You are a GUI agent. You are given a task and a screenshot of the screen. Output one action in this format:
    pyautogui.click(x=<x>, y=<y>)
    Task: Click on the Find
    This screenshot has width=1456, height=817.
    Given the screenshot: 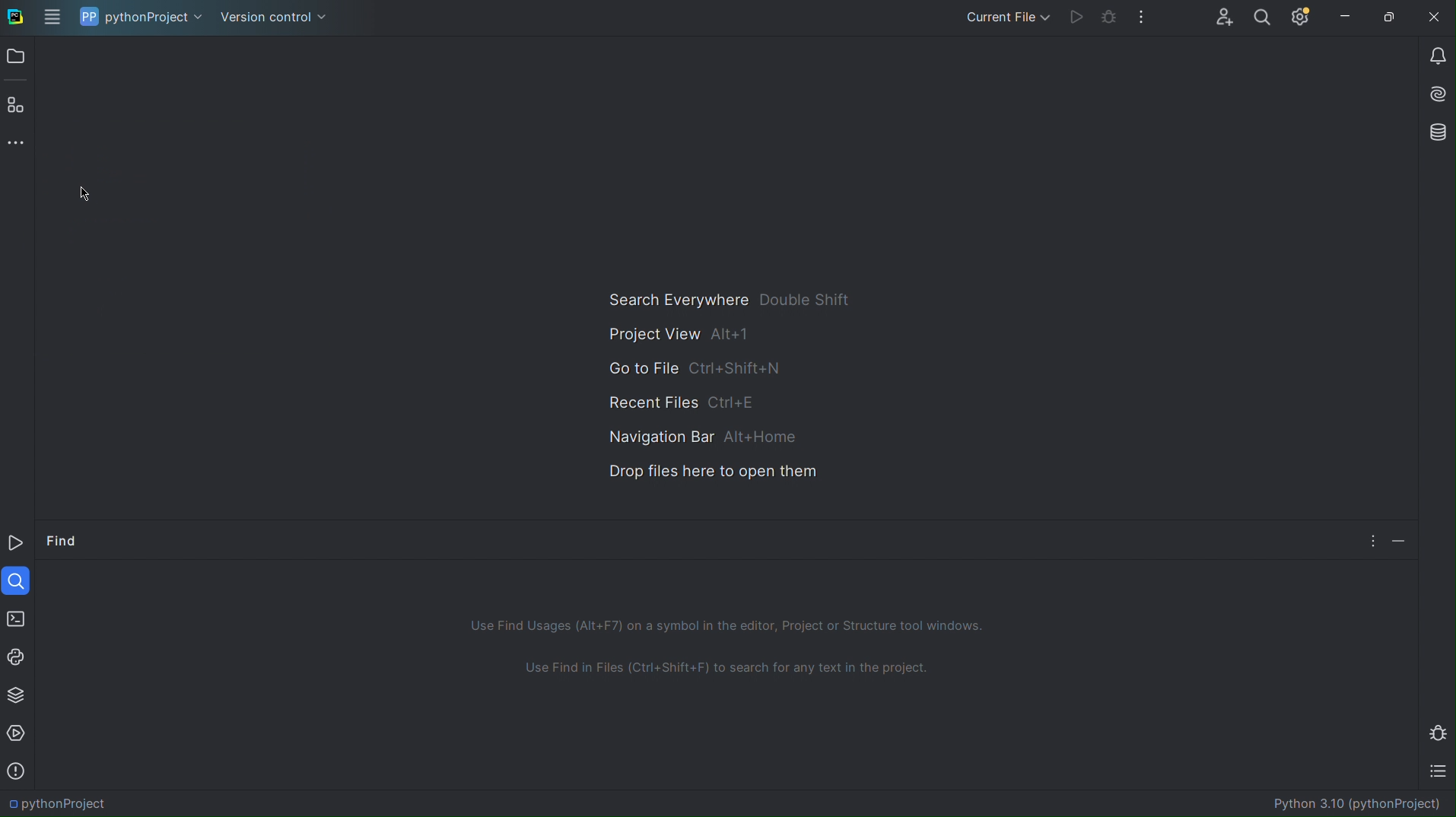 What is the action you would take?
    pyautogui.click(x=18, y=581)
    